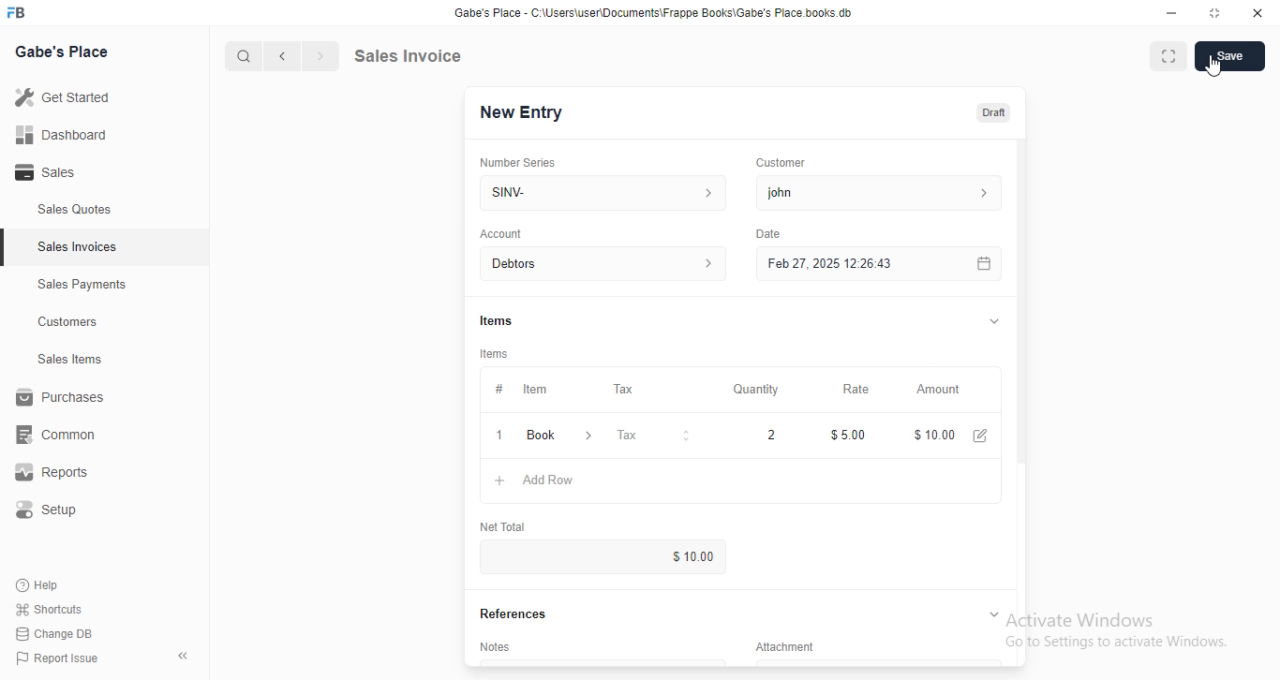  I want to click on Rate, so click(861, 388).